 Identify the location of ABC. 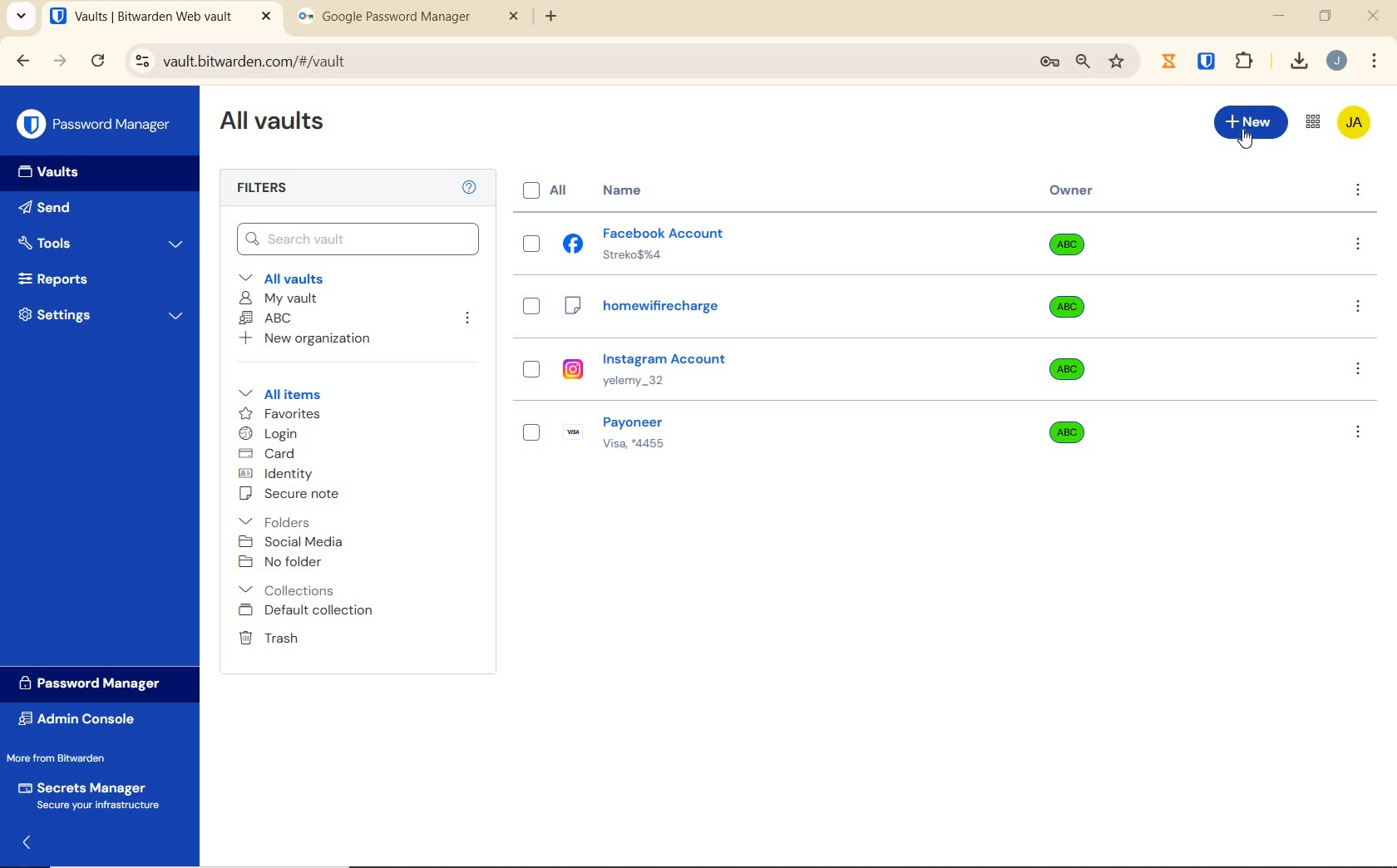
(265, 318).